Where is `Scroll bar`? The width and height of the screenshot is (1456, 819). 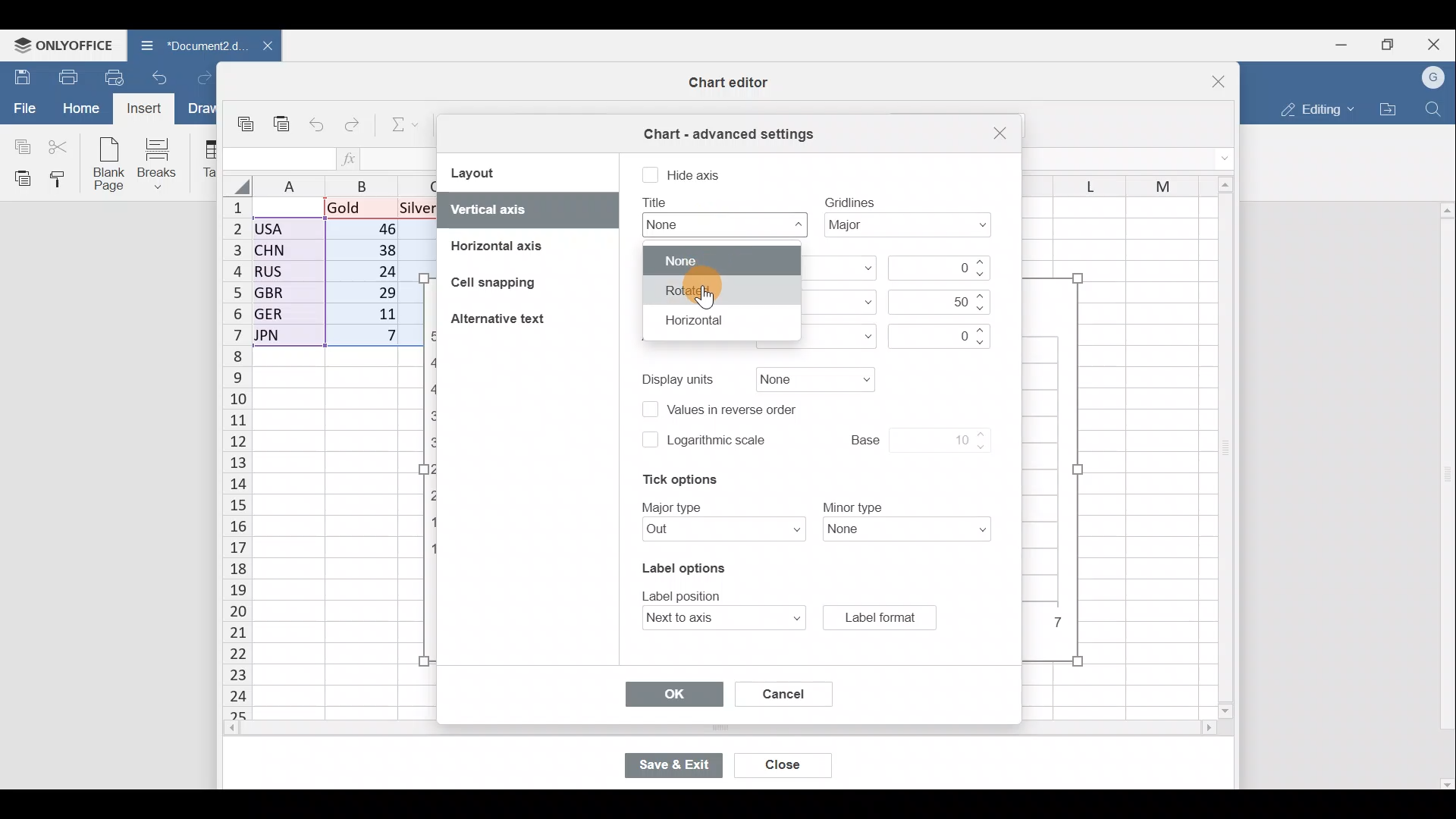 Scroll bar is located at coordinates (1220, 449).